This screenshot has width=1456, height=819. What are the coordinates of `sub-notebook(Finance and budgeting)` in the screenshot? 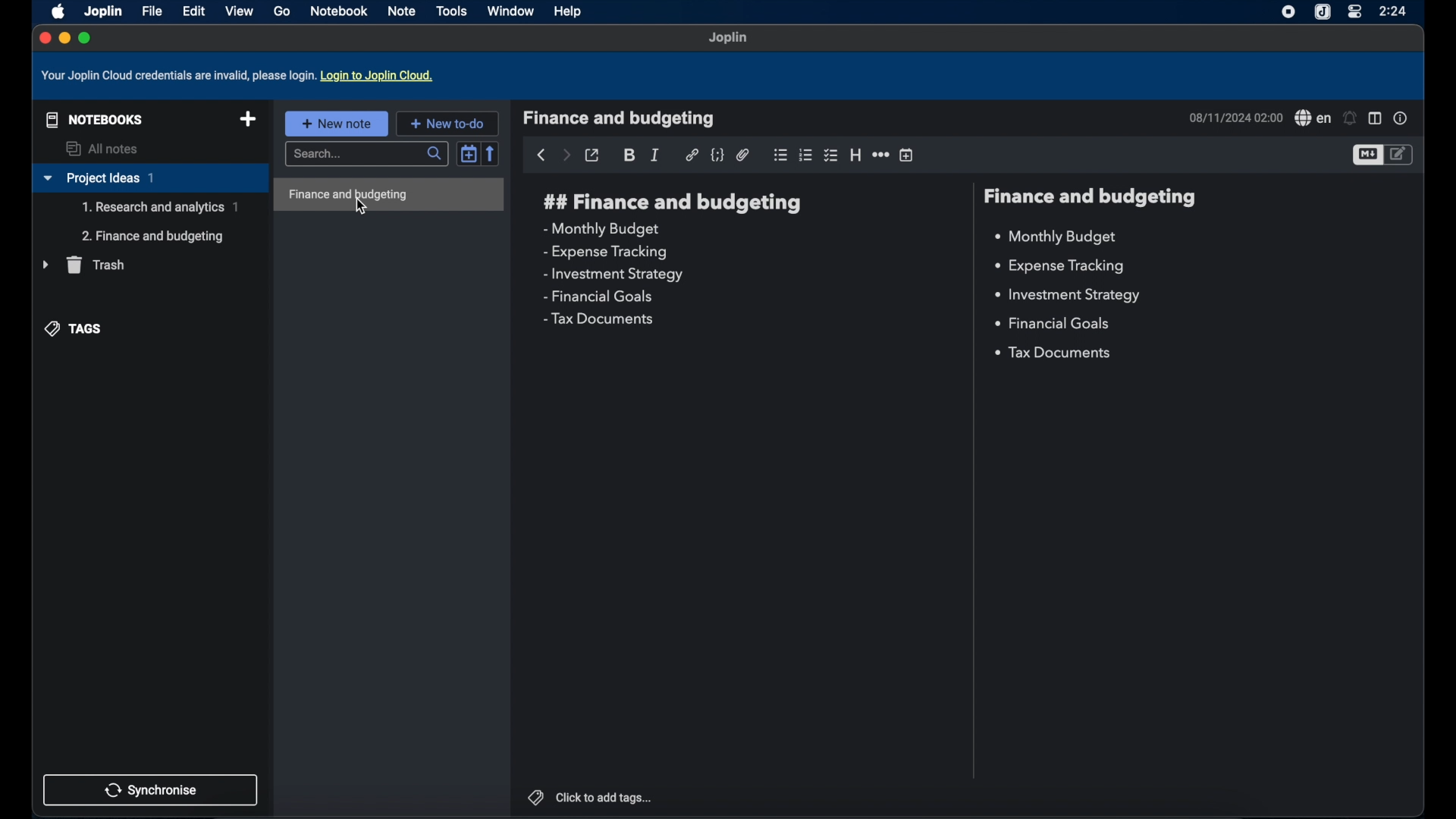 It's located at (155, 236).